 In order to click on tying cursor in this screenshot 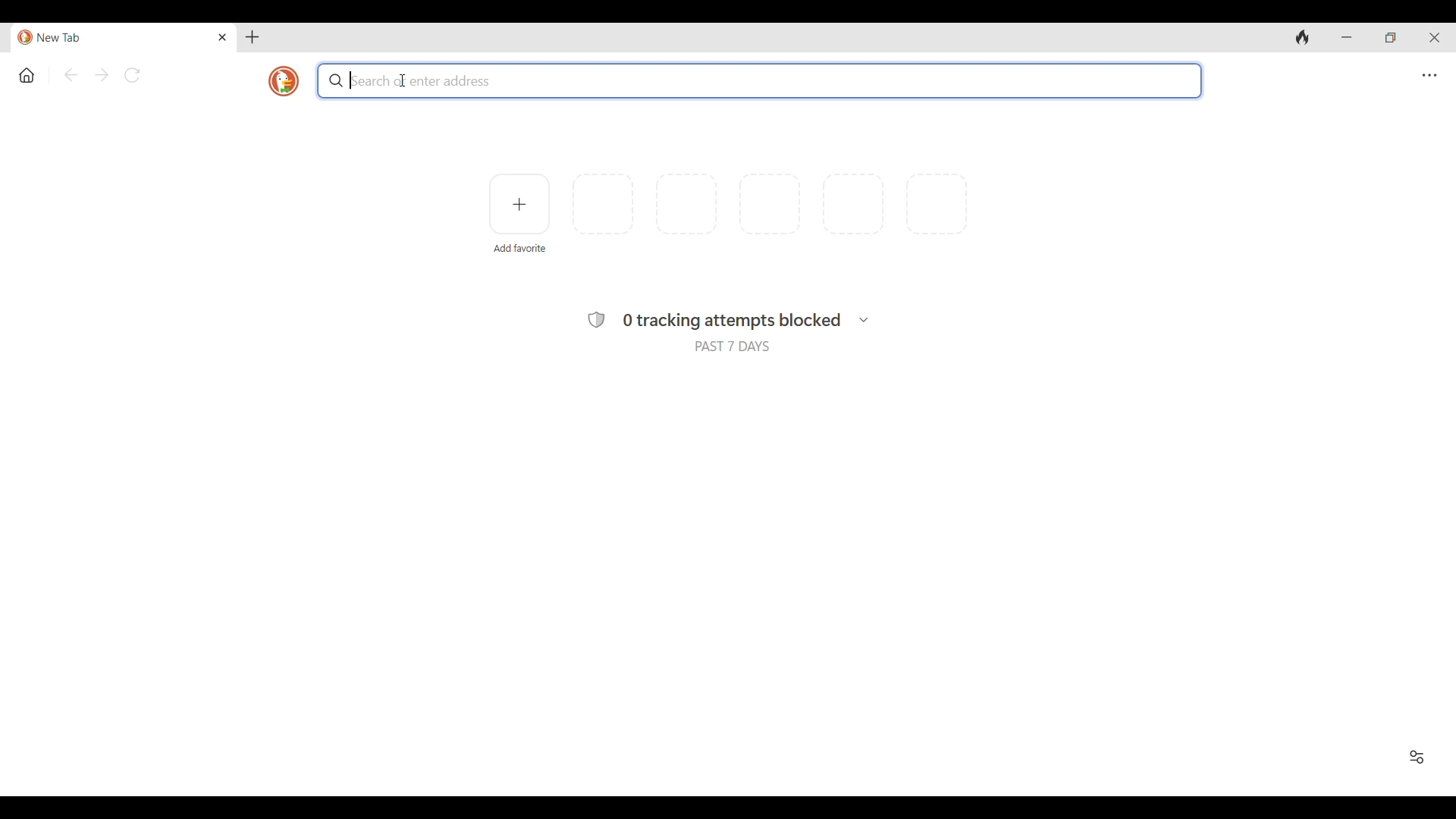, I will do `click(354, 81)`.